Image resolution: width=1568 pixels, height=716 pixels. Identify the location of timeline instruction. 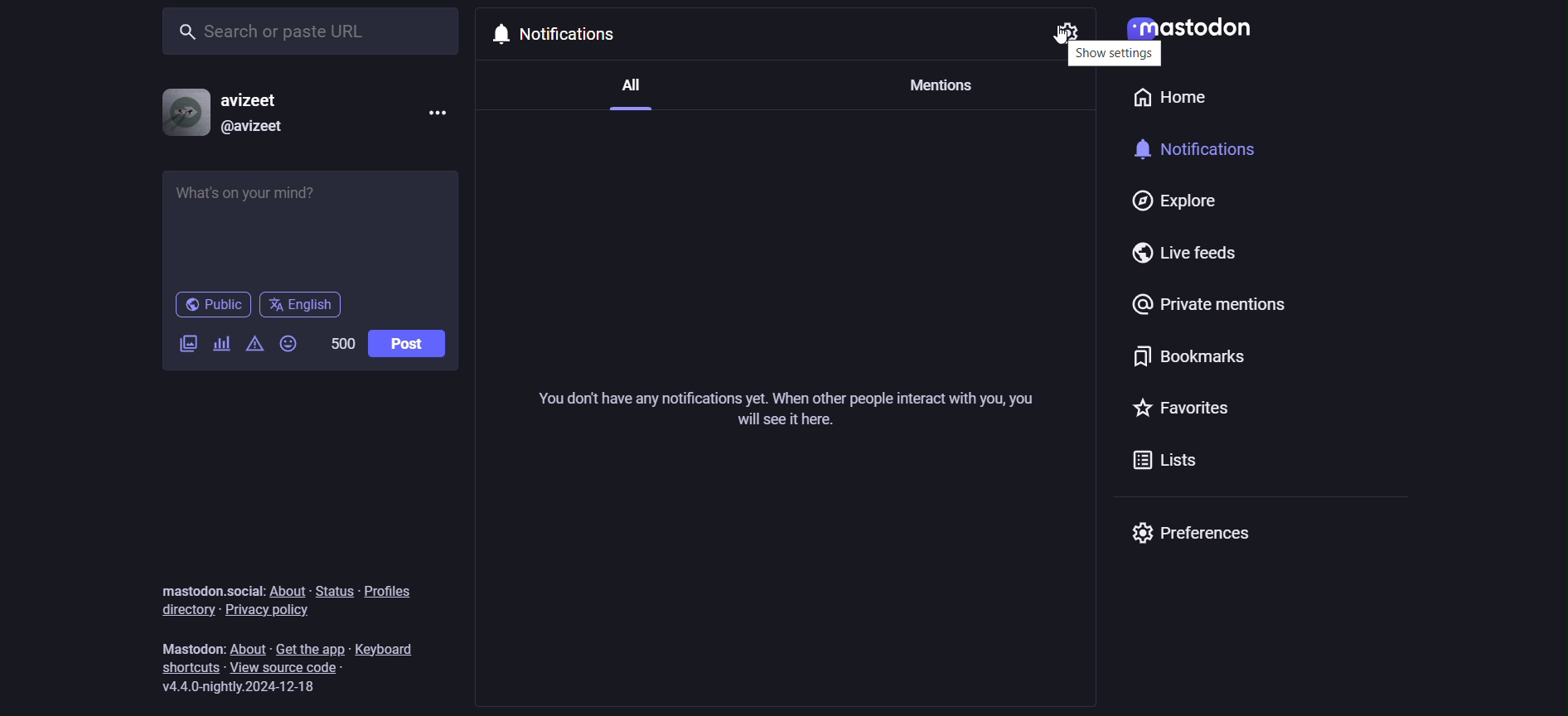
(782, 416).